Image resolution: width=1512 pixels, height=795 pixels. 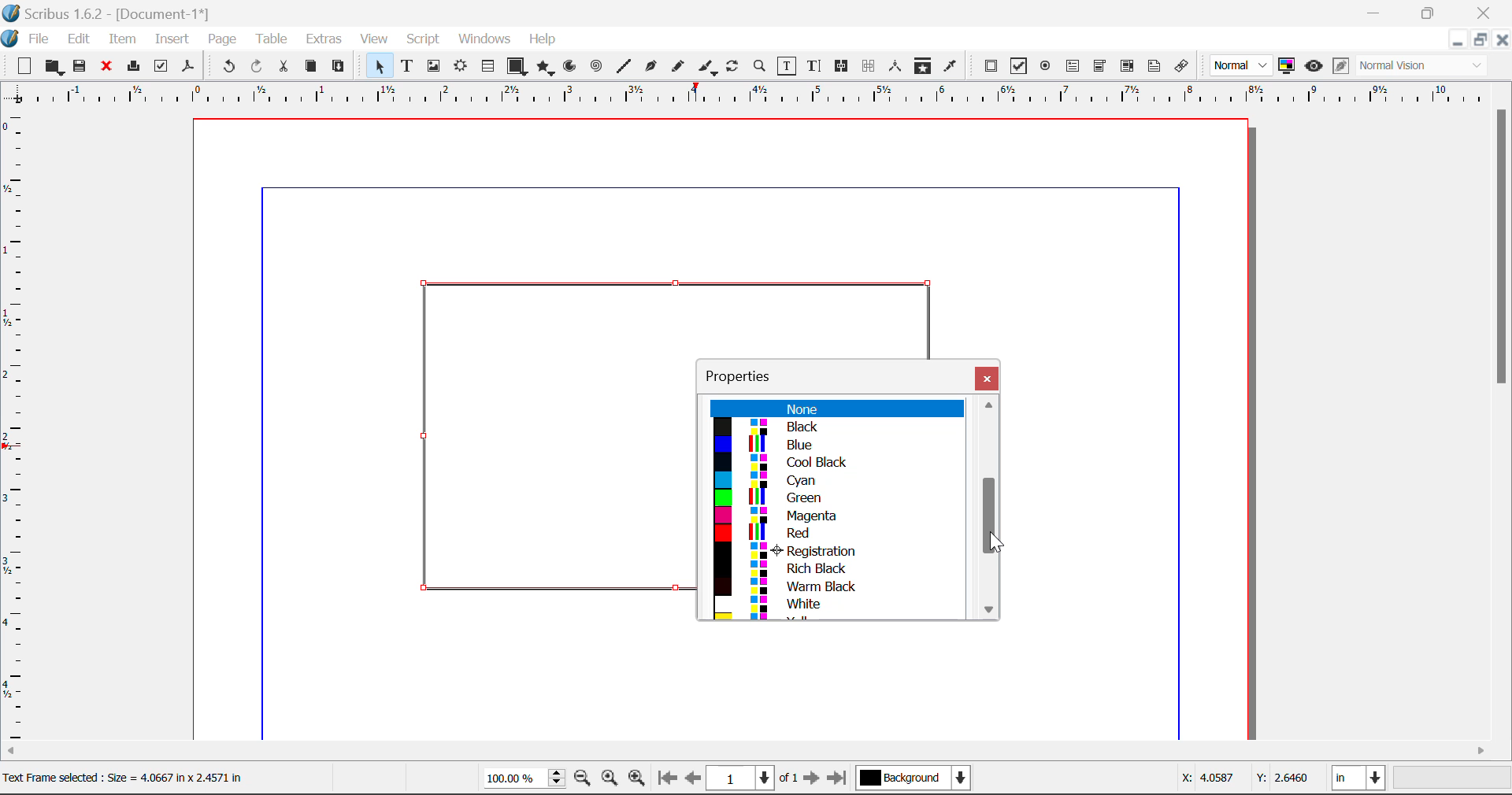 What do you see at coordinates (733, 65) in the screenshot?
I see `Rotate` at bounding box center [733, 65].